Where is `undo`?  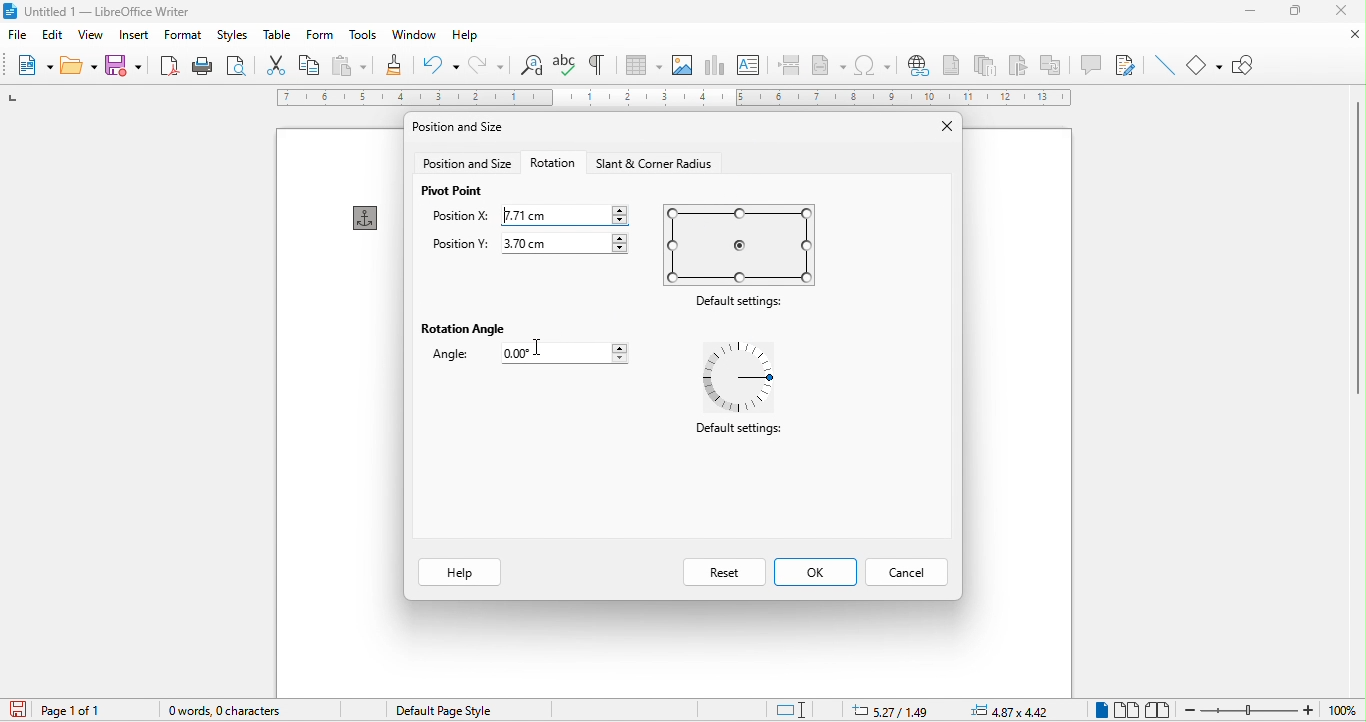 undo is located at coordinates (438, 65).